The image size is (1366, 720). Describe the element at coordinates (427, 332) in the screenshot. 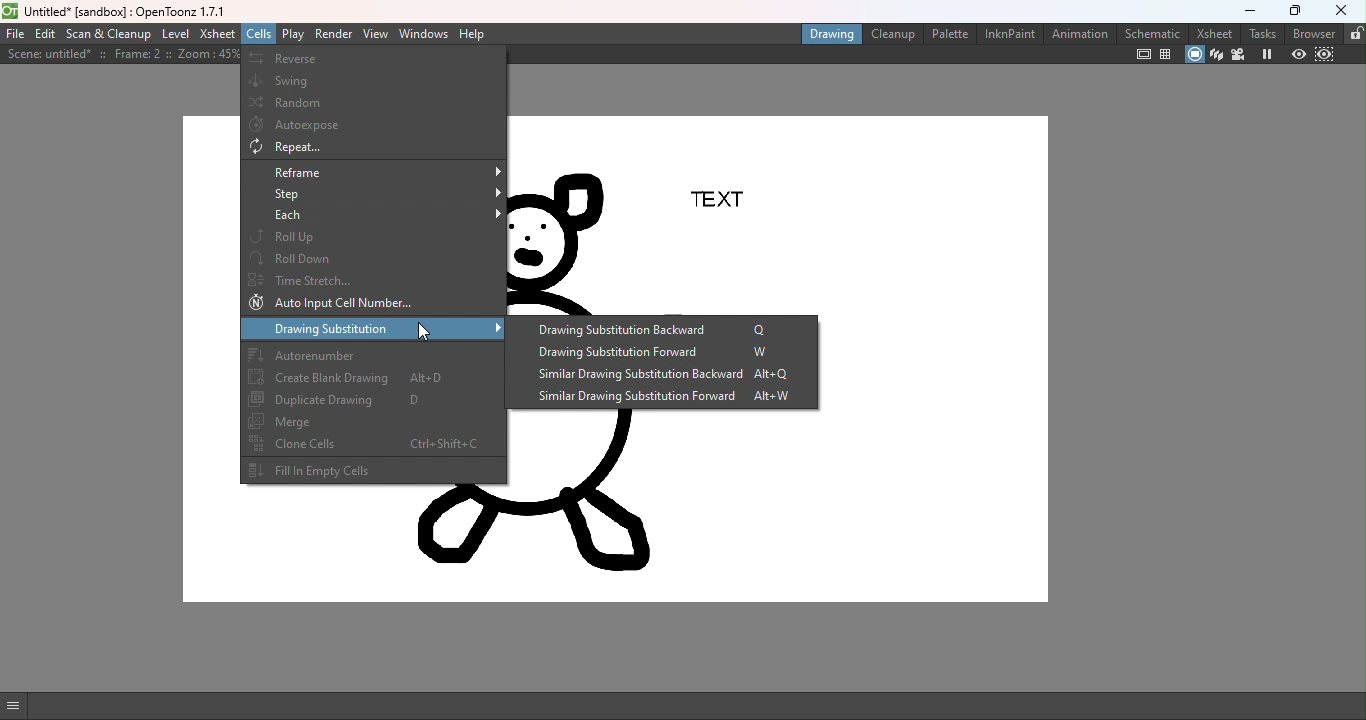

I see `cursor` at that location.